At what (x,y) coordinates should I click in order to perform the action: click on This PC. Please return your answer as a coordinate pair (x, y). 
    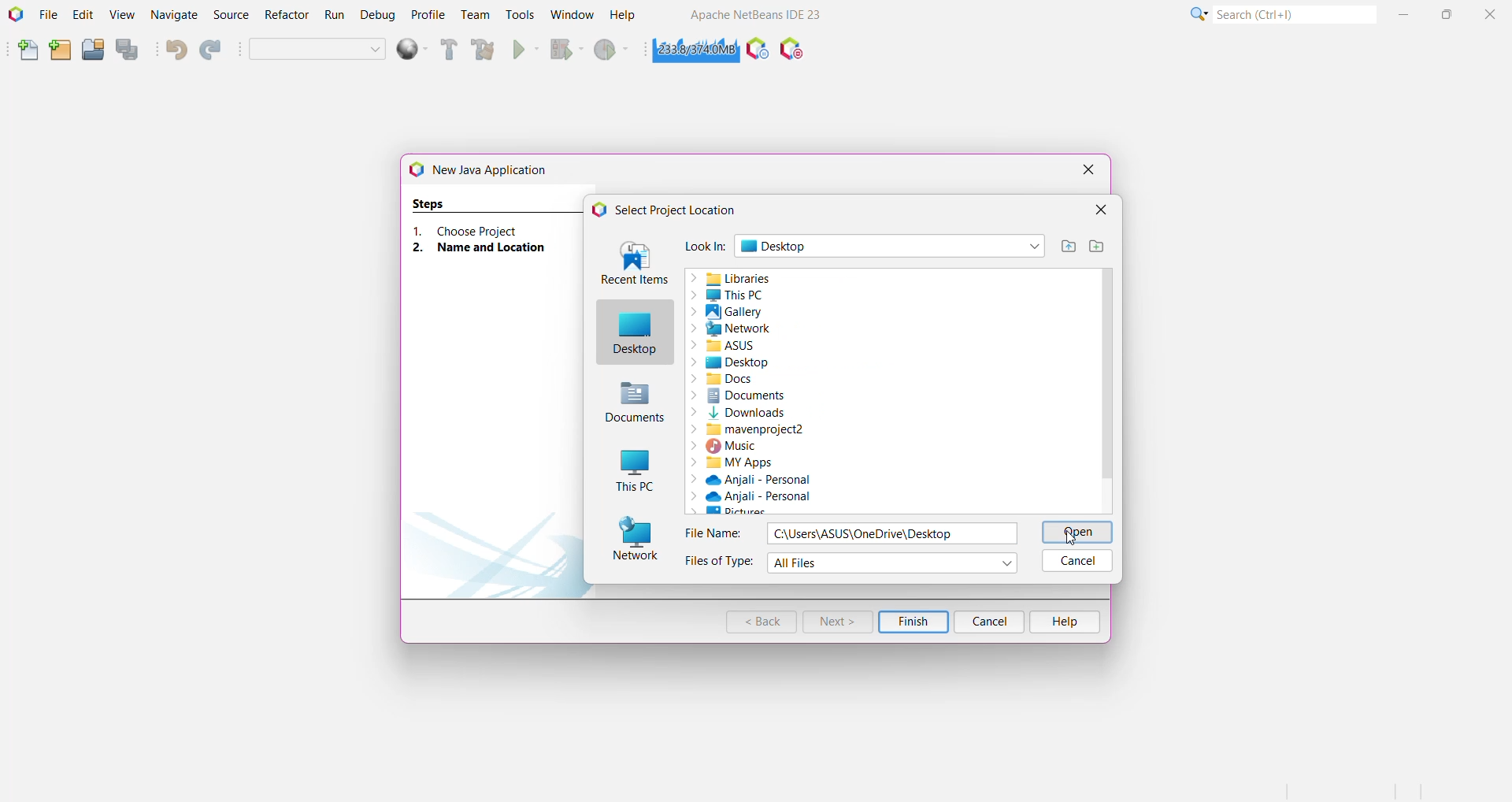
    Looking at the image, I should click on (634, 470).